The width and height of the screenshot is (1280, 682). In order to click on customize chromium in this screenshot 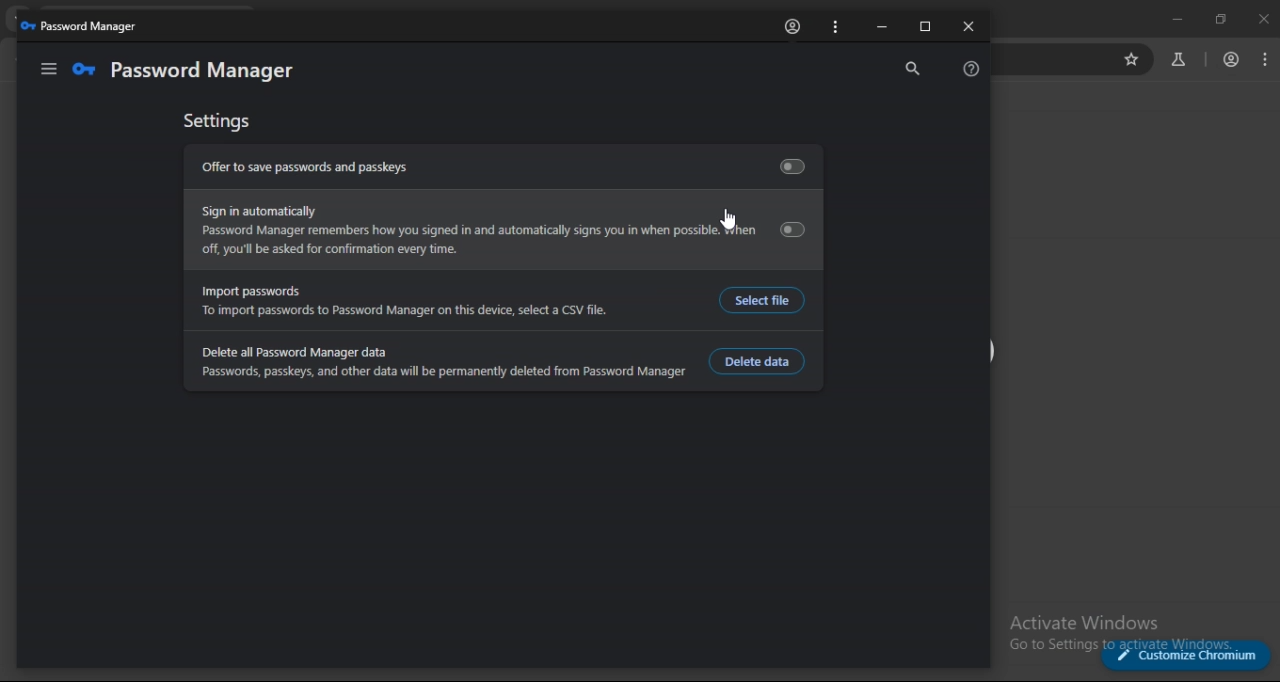, I will do `click(1190, 656)`.